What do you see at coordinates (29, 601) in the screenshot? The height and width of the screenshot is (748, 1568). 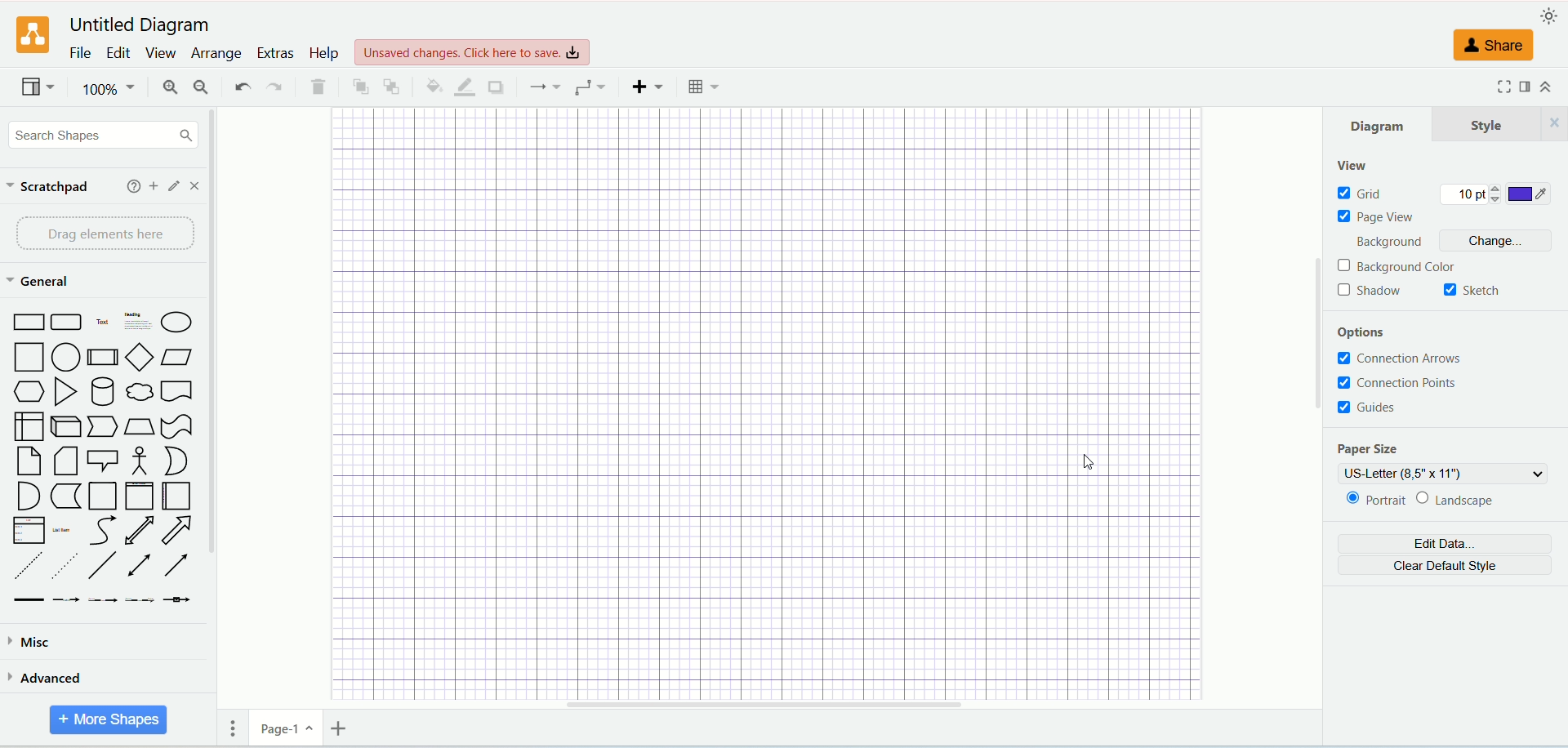 I see `Link` at bounding box center [29, 601].